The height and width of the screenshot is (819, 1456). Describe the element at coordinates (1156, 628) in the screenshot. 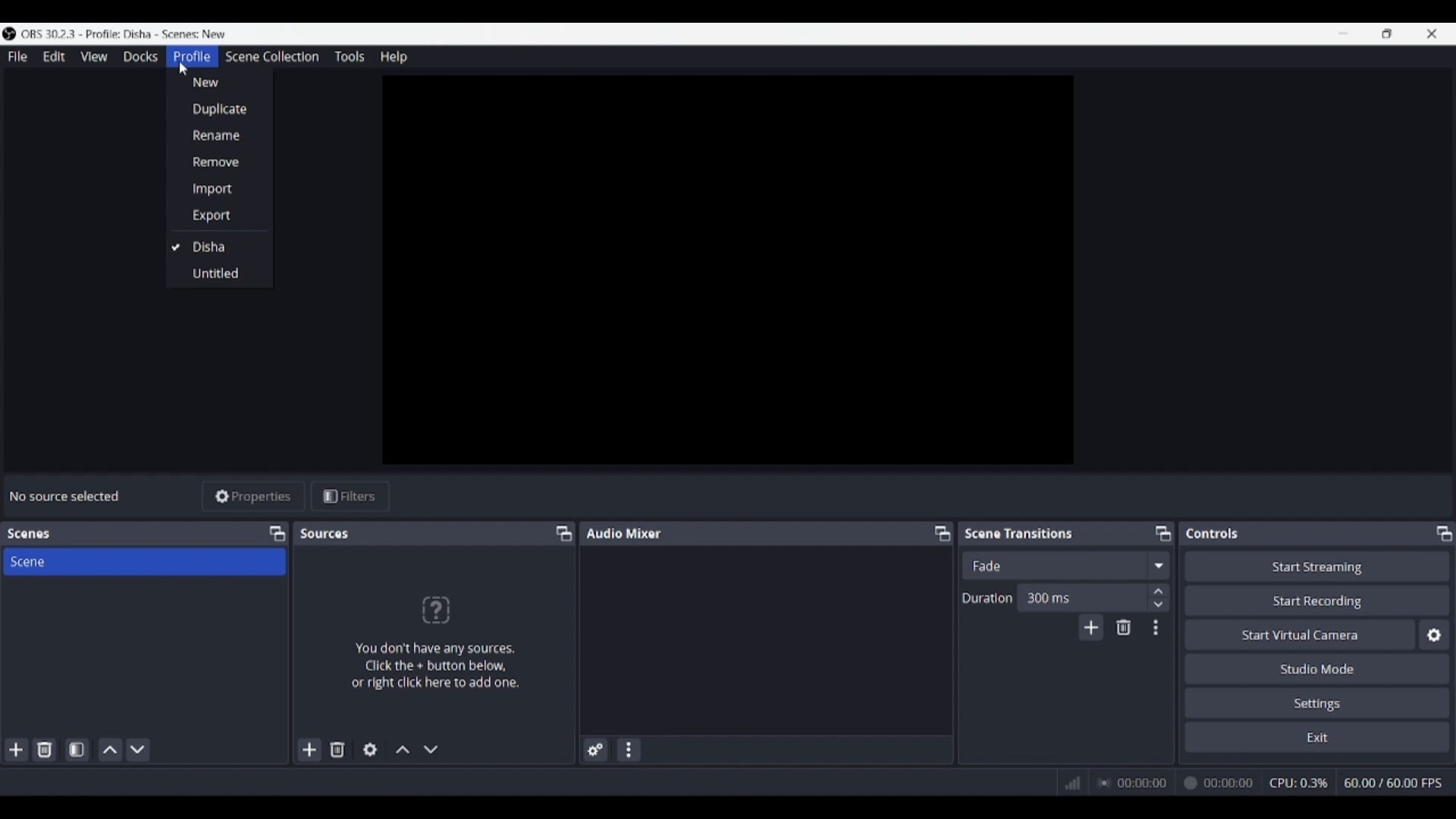

I see `Transition properties` at that location.